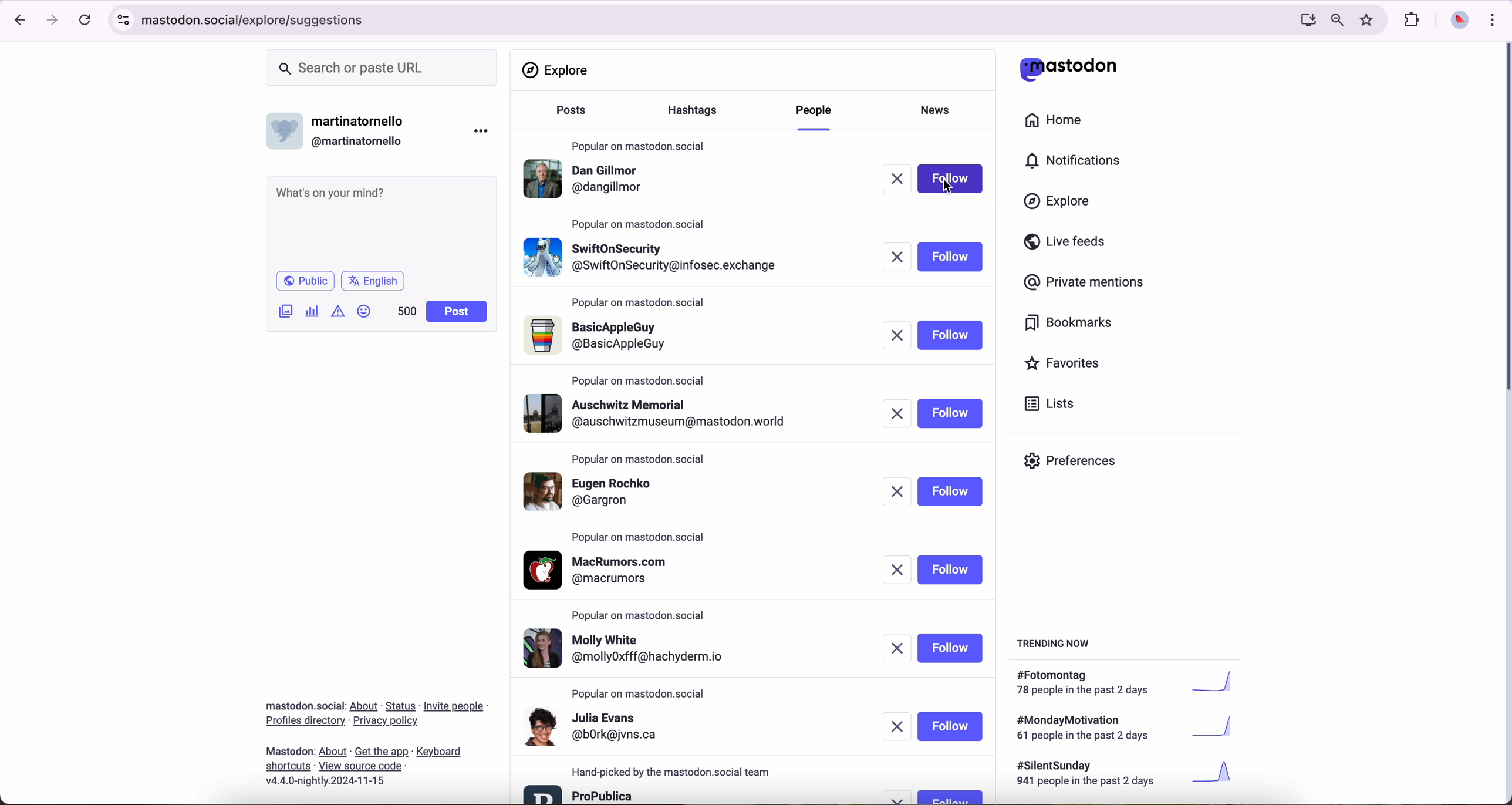 The height and width of the screenshot is (805, 1512). What do you see at coordinates (640, 694) in the screenshot?
I see `popular on mastodon.social` at bounding box center [640, 694].